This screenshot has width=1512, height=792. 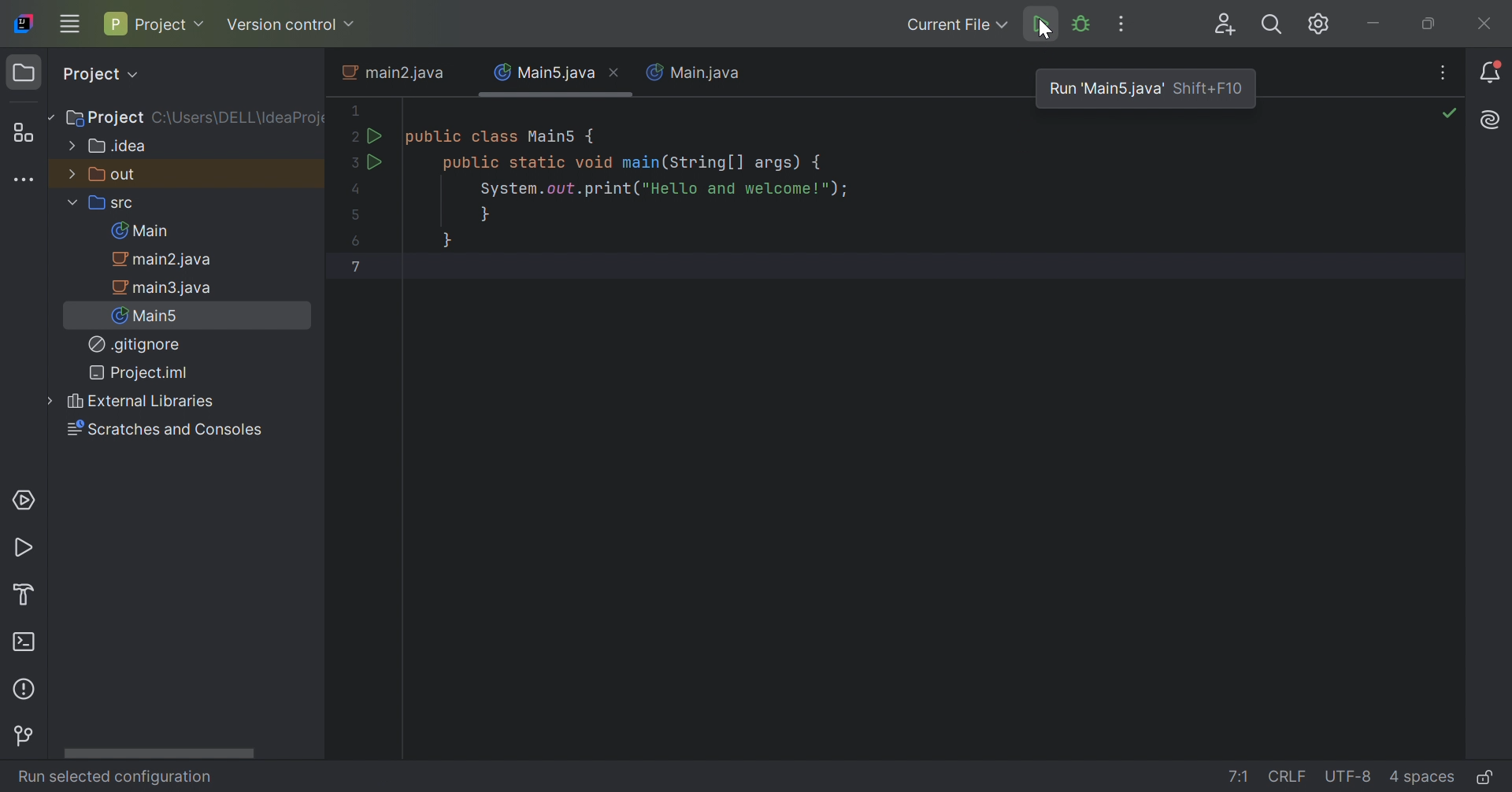 What do you see at coordinates (354, 241) in the screenshot?
I see `6` at bounding box center [354, 241].